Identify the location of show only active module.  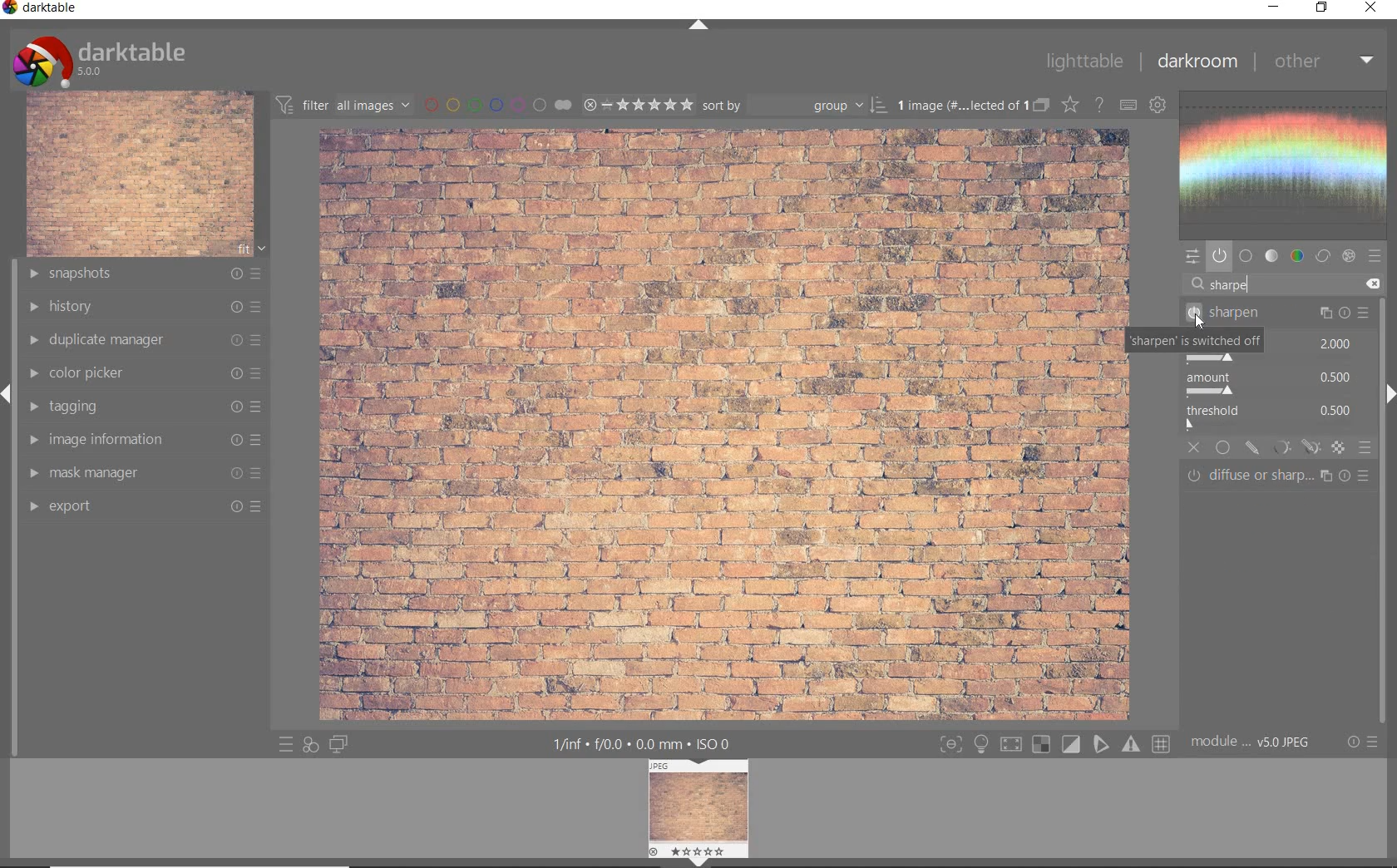
(1219, 256).